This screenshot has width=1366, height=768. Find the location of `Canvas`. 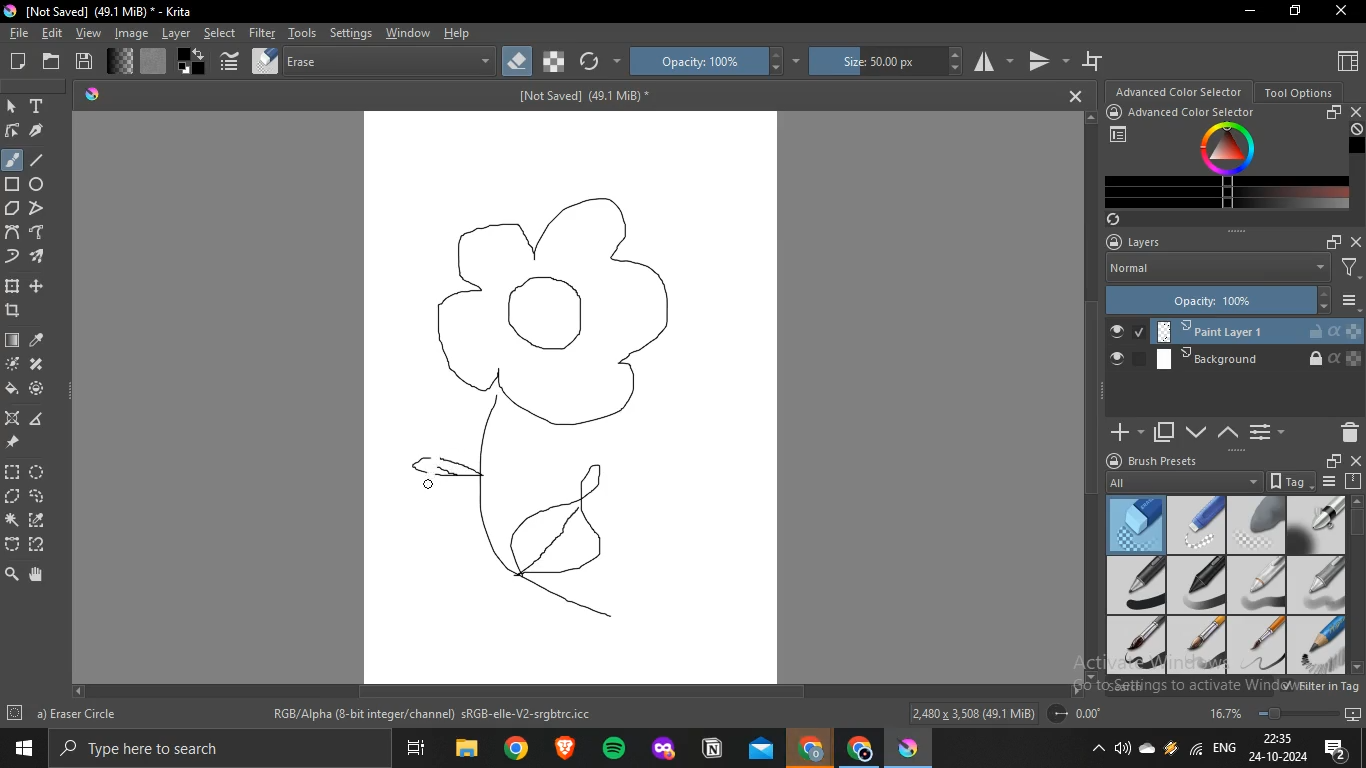

Canvas is located at coordinates (571, 396).